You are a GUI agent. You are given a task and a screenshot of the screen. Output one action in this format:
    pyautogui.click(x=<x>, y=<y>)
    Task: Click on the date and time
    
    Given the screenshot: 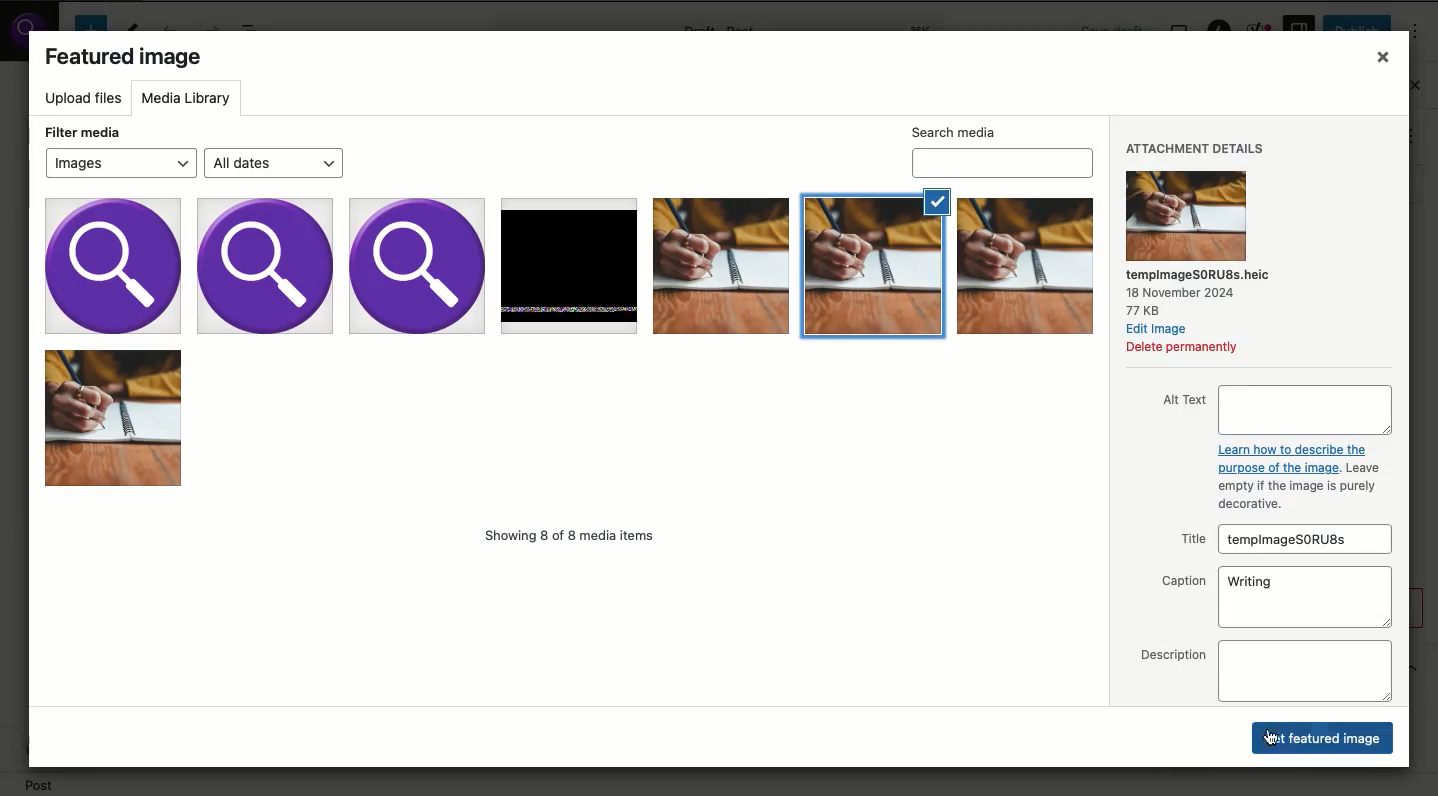 What is the action you would take?
    pyautogui.click(x=1183, y=292)
    